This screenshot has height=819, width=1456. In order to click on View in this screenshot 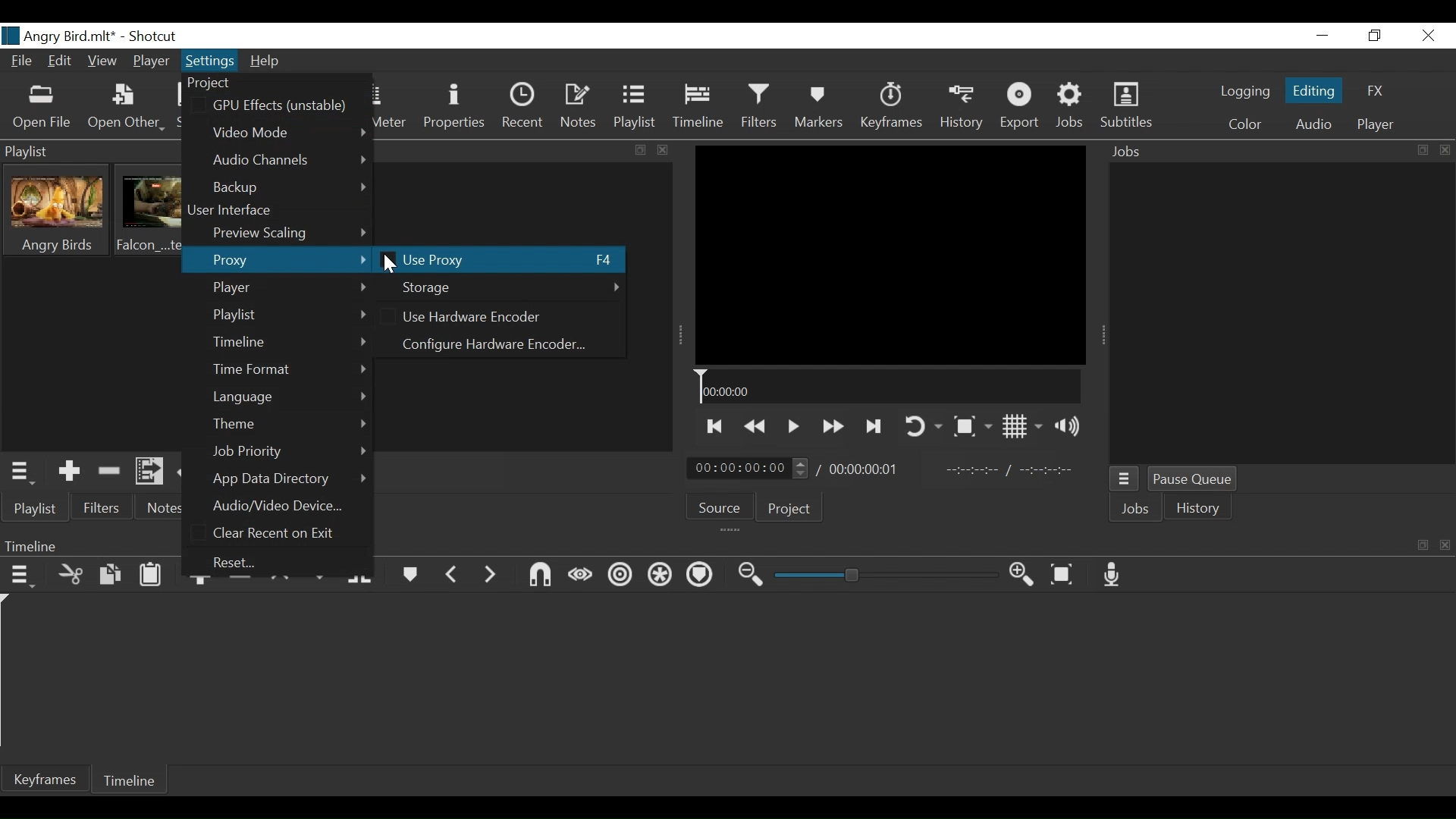, I will do `click(104, 60)`.